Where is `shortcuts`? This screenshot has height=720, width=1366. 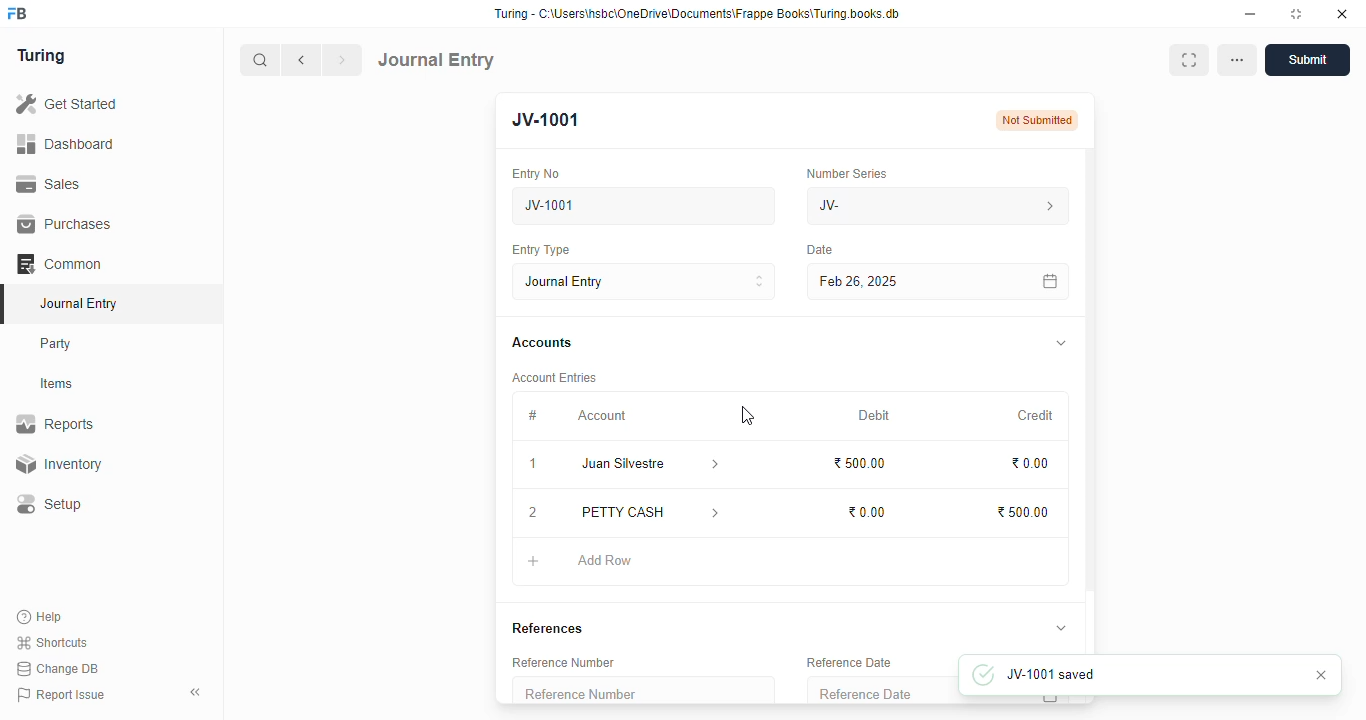 shortcuts is located at coordinates (52, 643).